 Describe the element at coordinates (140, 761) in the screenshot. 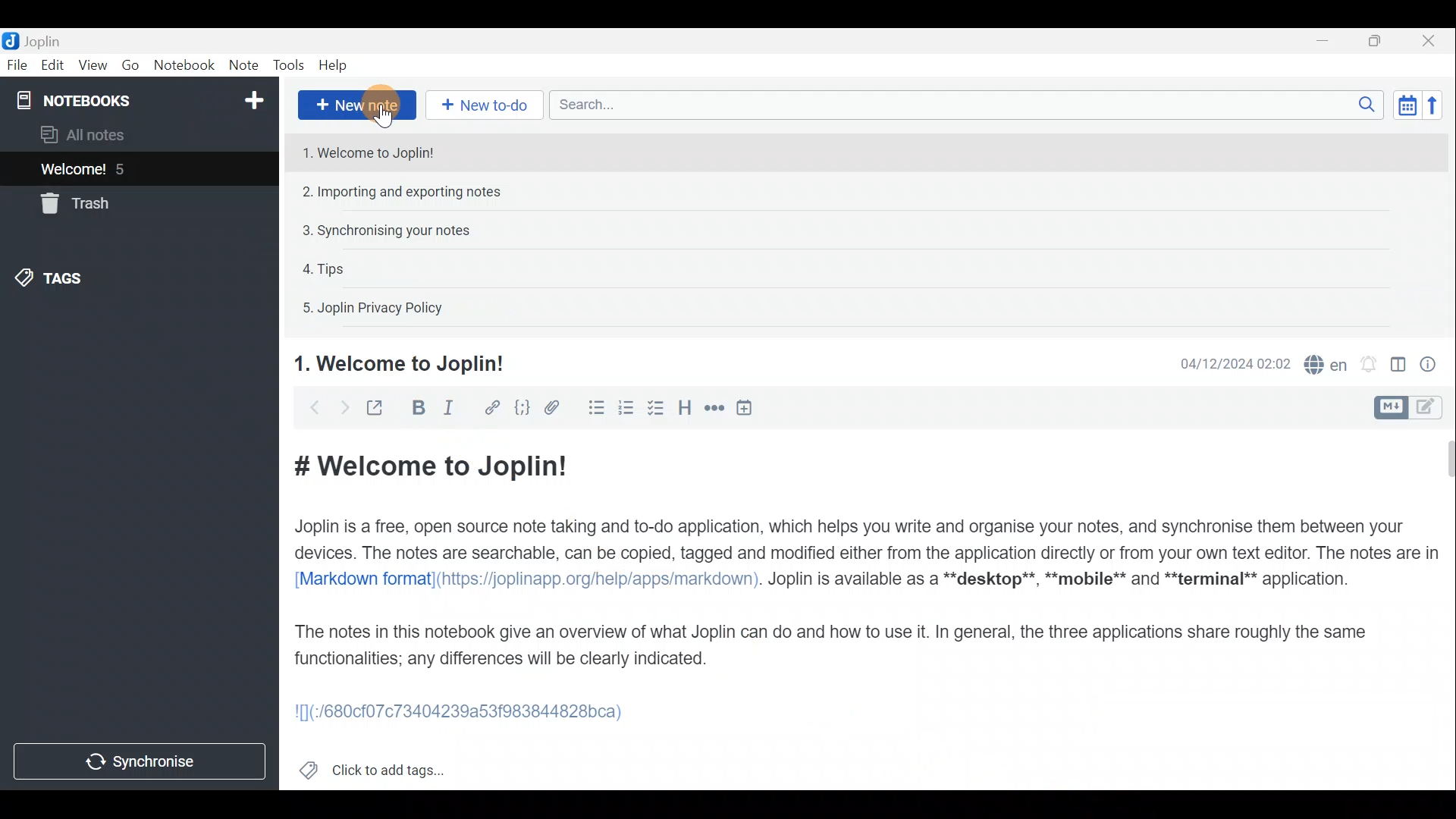

I see `Synchronise` at that location.